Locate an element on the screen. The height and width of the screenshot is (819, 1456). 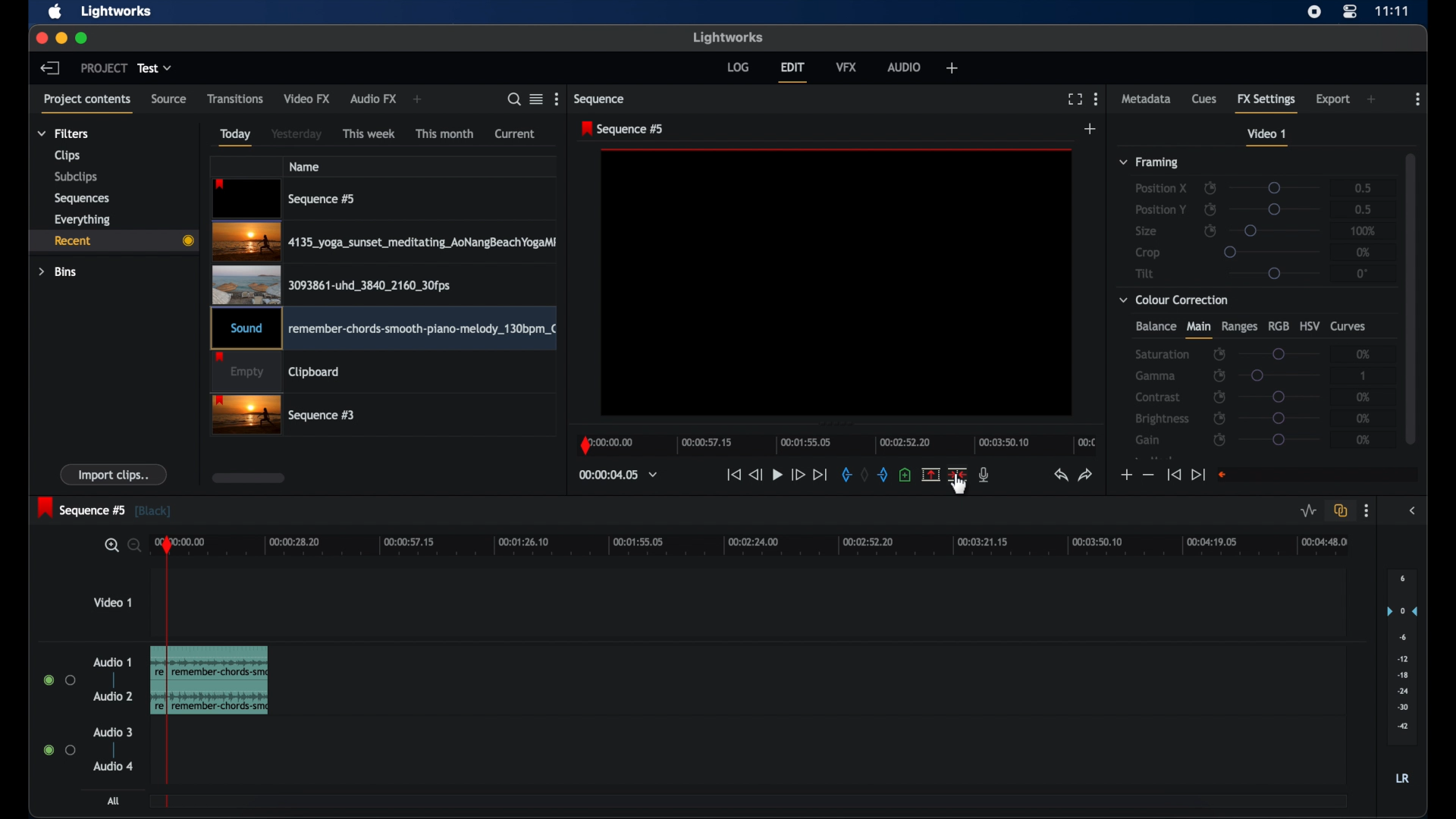
enable/disable keyframe is located at coordinates (1210, 230).